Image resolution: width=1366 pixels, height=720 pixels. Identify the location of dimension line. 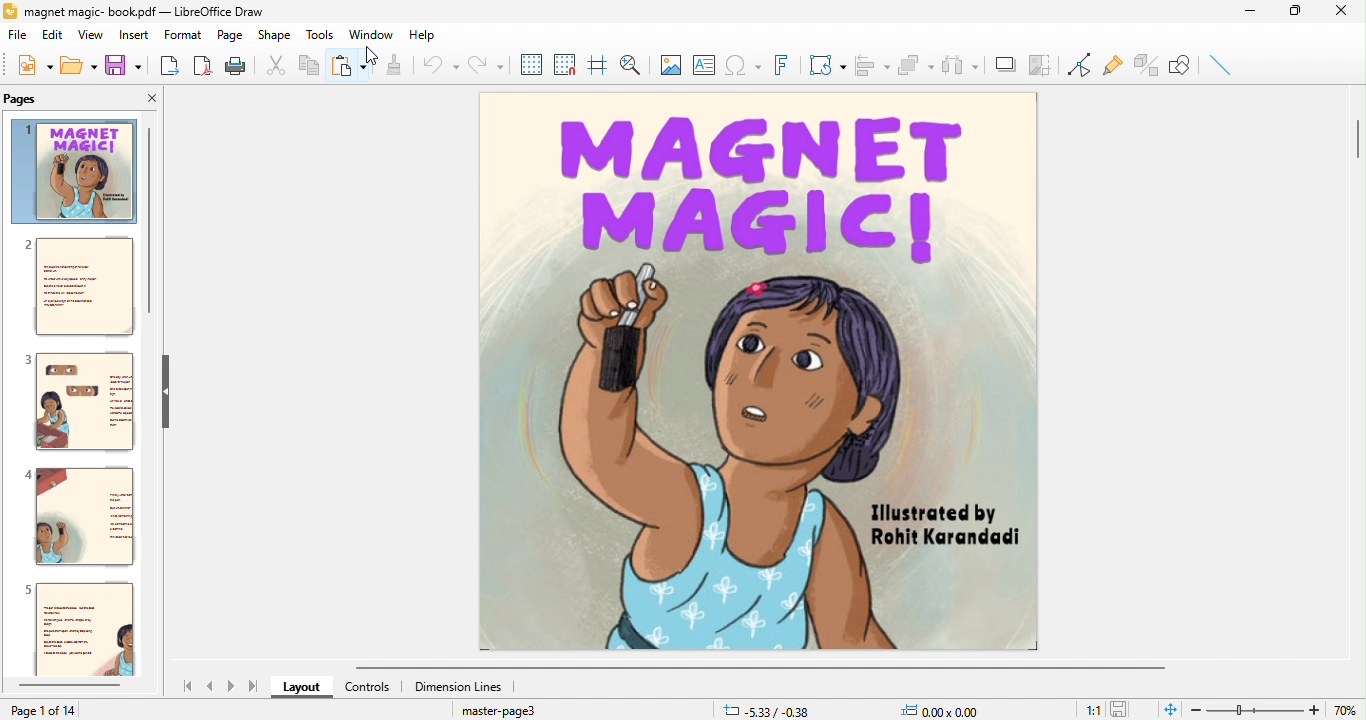
(458, 686).